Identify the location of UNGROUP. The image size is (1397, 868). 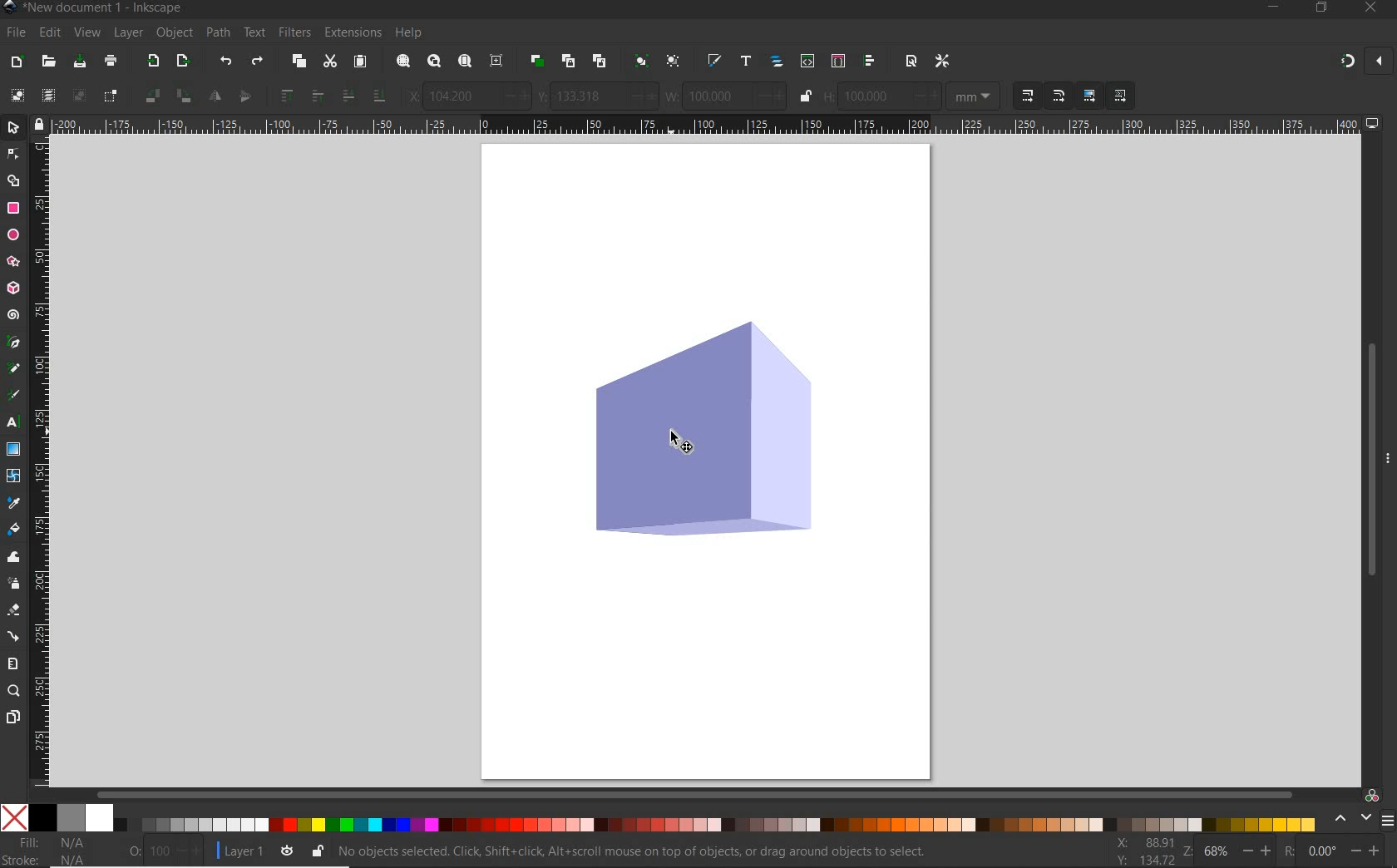
(673, 61).